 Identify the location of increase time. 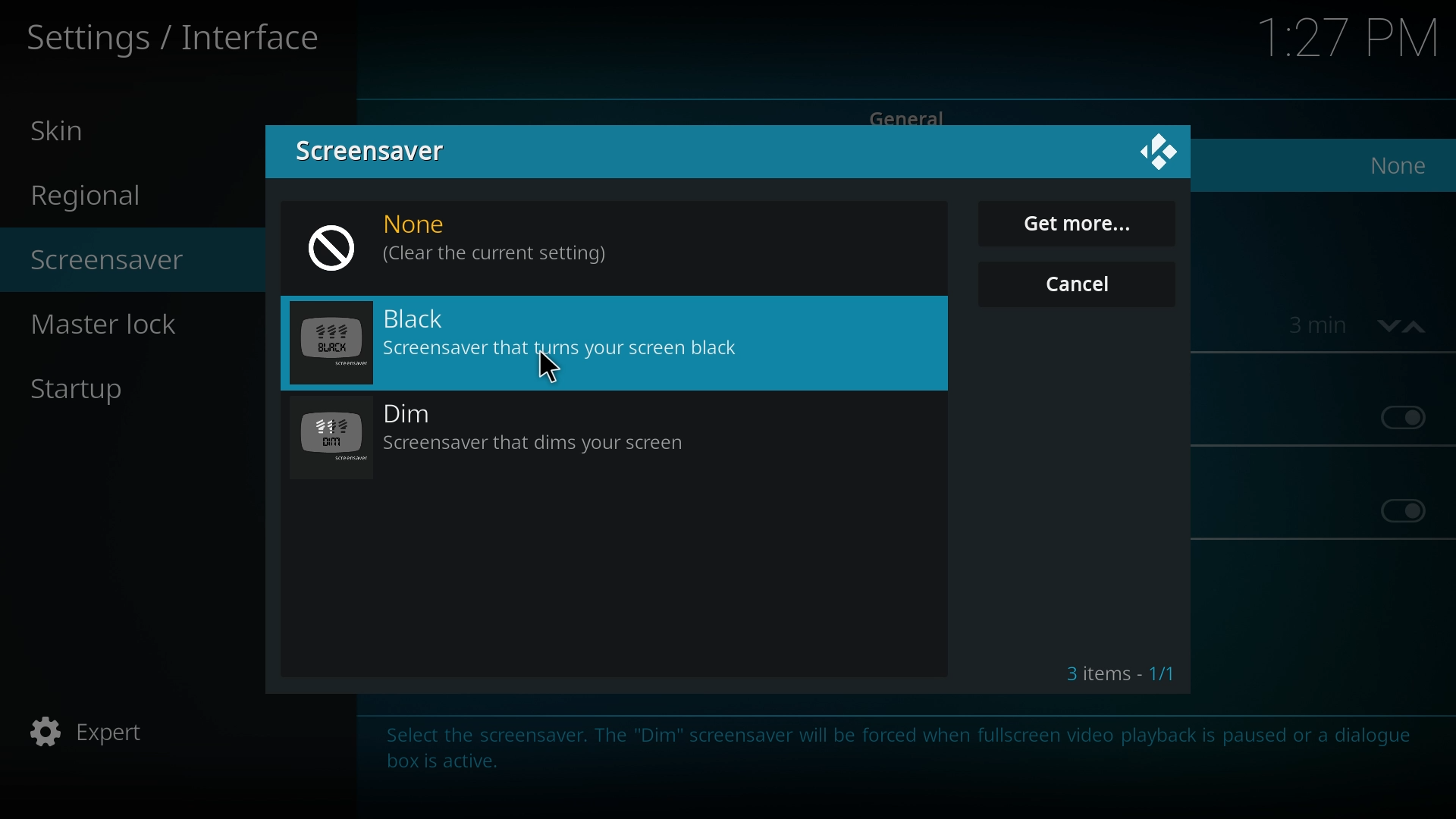
(1417, 329).